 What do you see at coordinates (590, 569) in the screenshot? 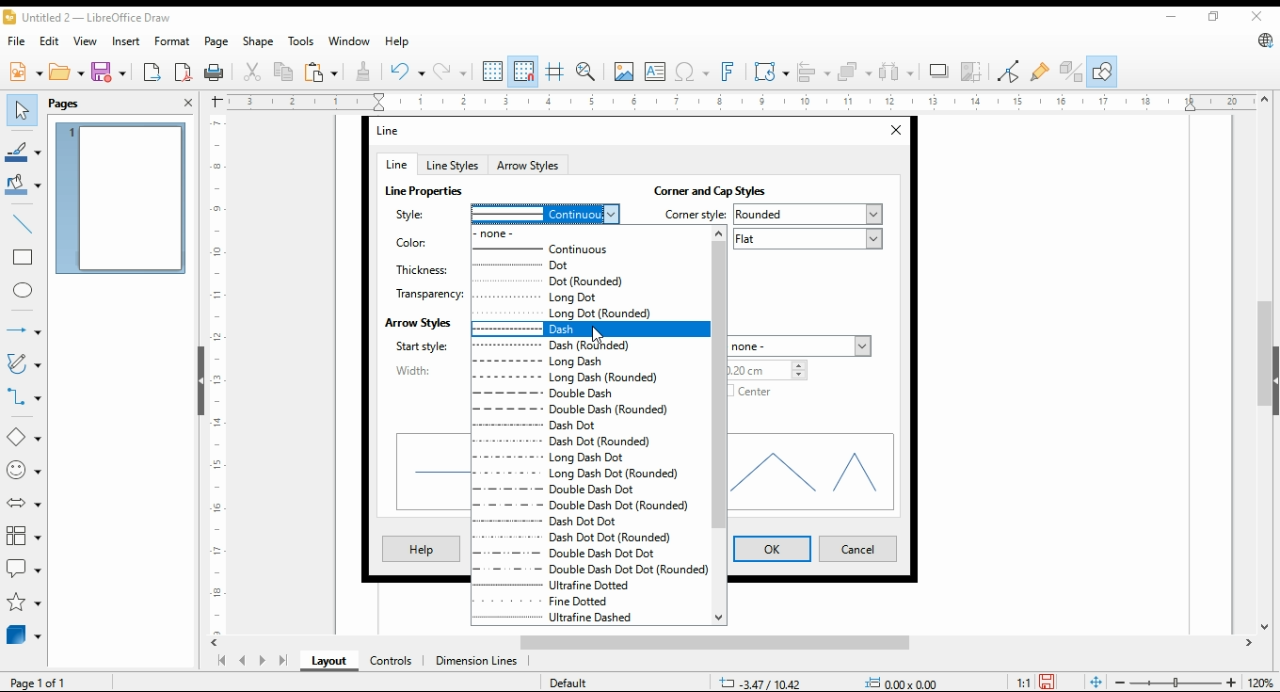
I see `double dash dot dot (rounded)` at bounding box center [590, 569].